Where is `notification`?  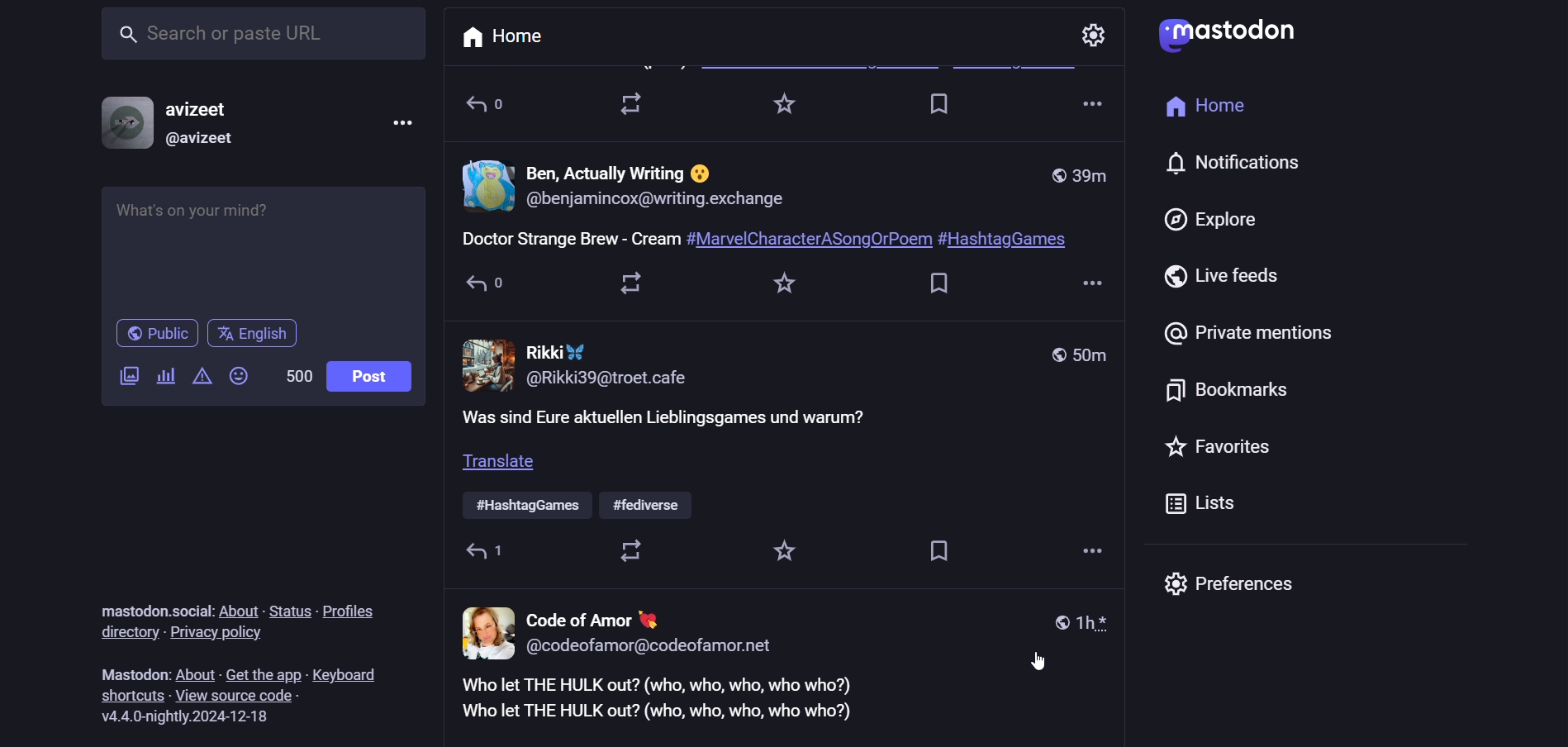
notification is located at coordinates (1243, 165).